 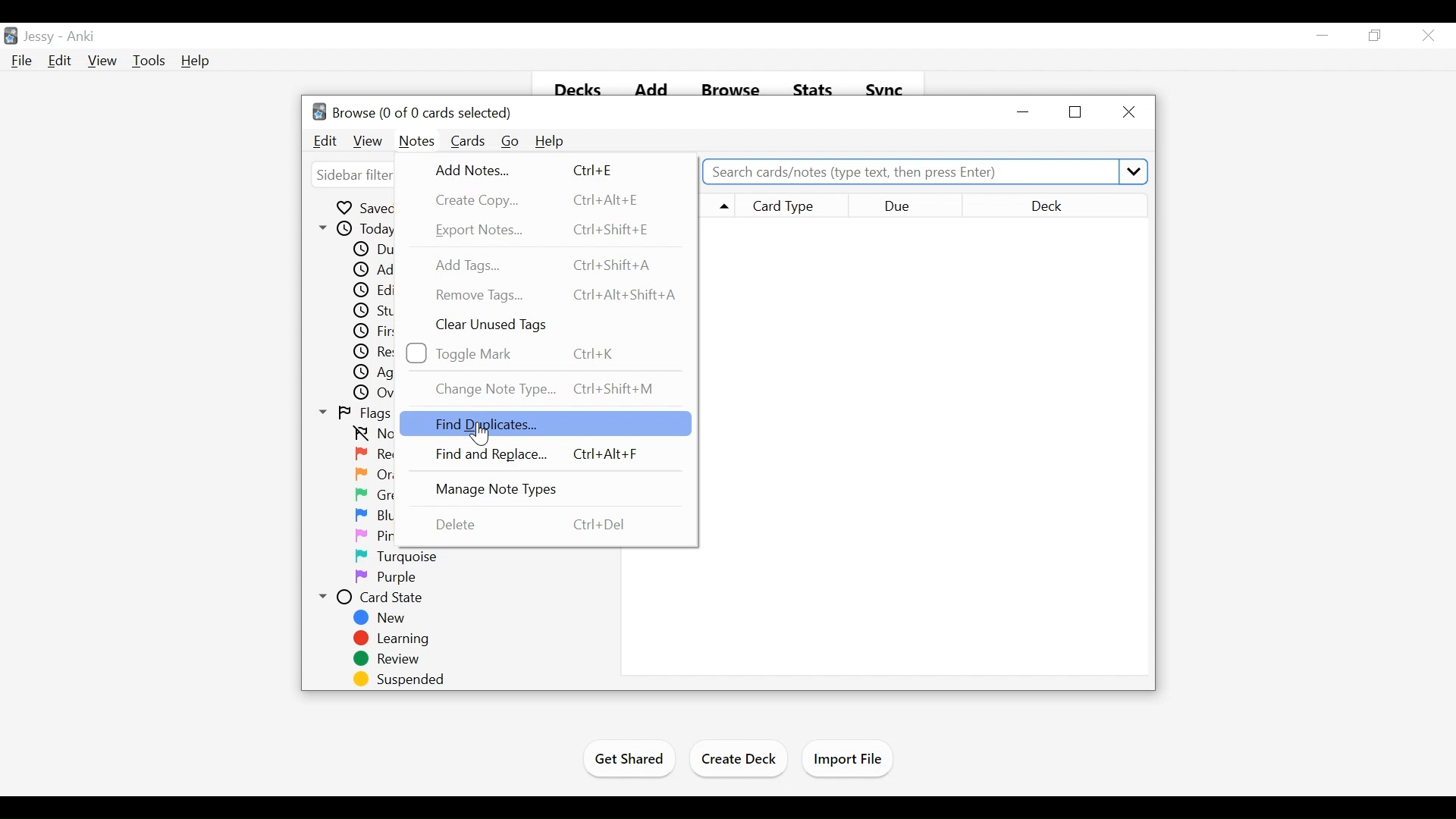 What do you see at coordinates (356, 414) in the screenshot?
I see `Flags` at bounding box center [356, 414].